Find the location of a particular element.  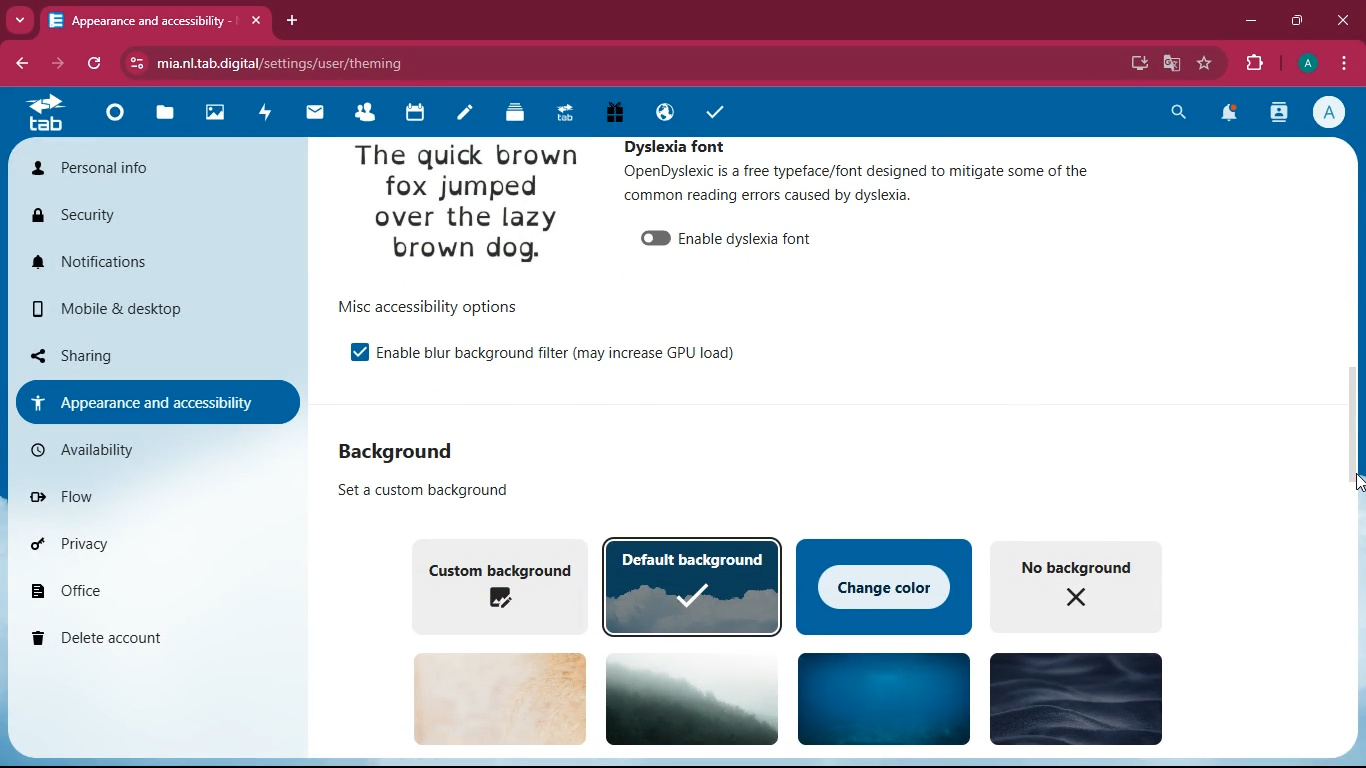

home is located at coordinates (112, 118).